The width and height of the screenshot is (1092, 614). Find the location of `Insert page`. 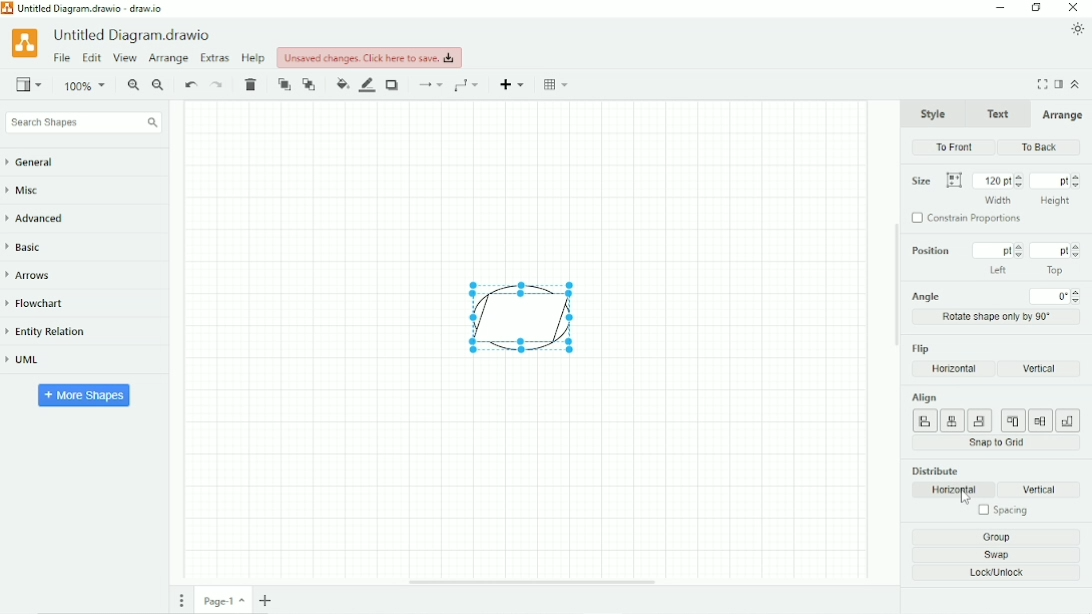

Insert page is located at coordinates (268, 600).